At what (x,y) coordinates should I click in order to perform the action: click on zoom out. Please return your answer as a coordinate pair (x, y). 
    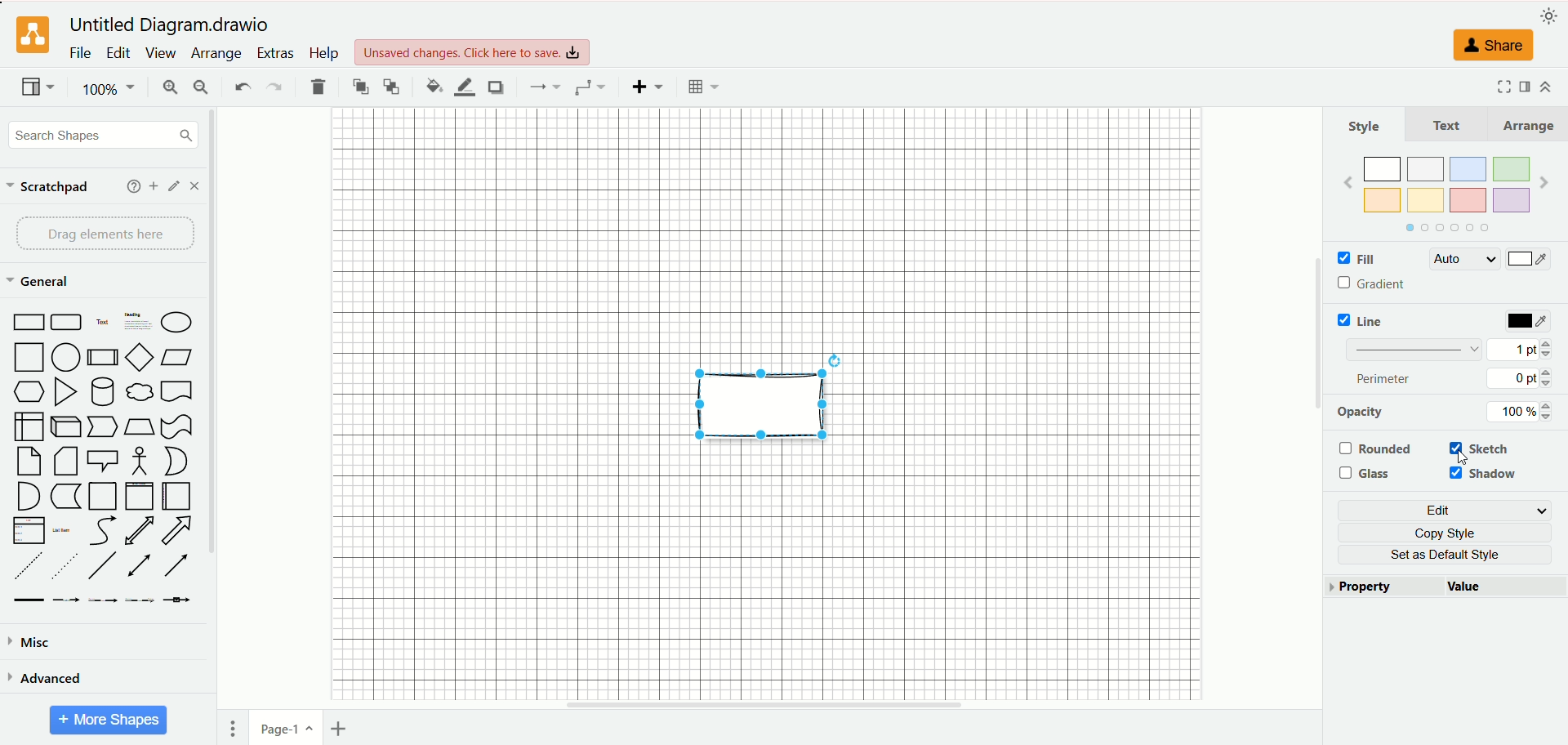
    Looking at the image, I should click on (202, 87).